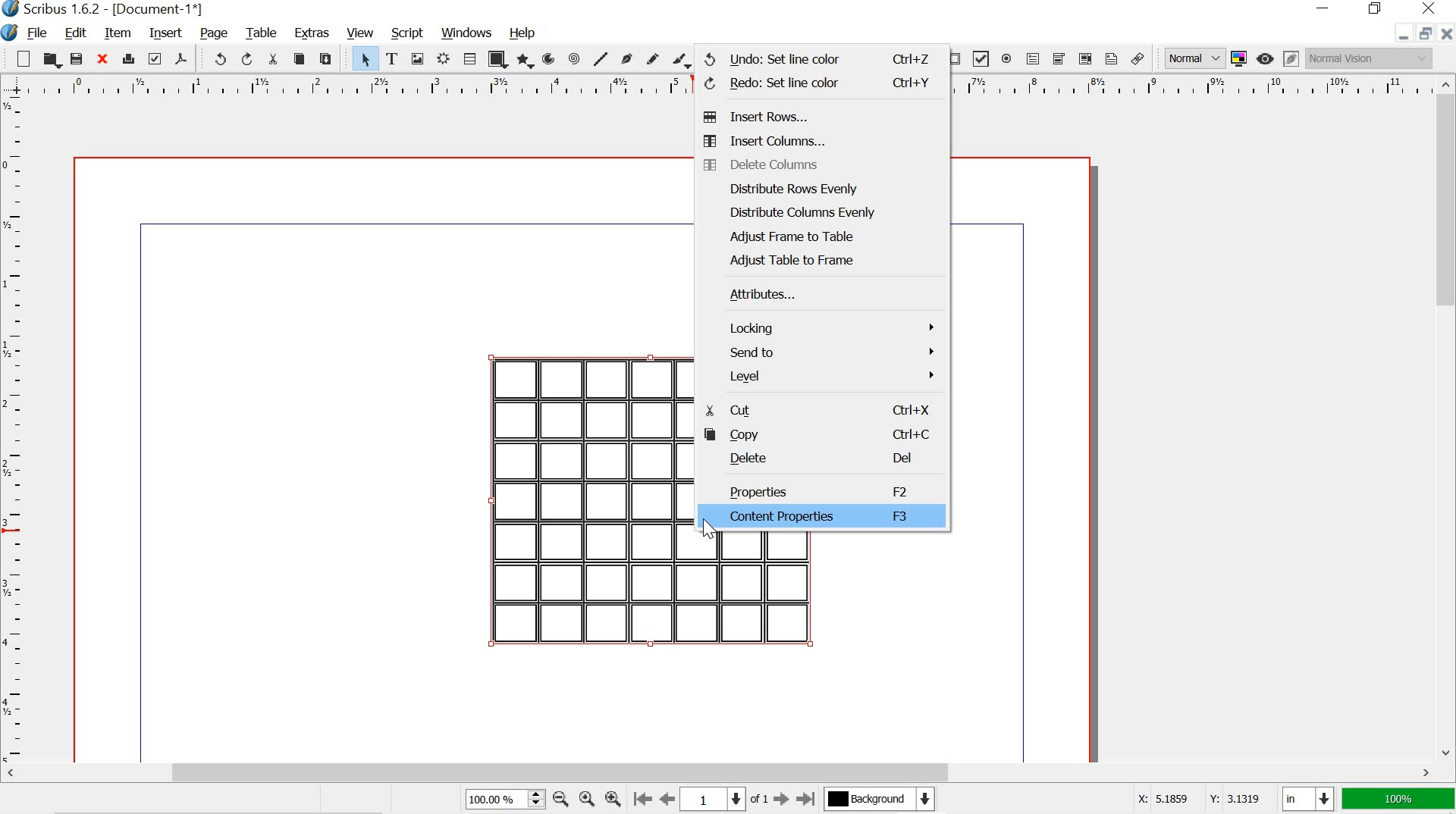  Describe the element at coordinates (758, 800) in the screenshot. I see `of 1` at that location.